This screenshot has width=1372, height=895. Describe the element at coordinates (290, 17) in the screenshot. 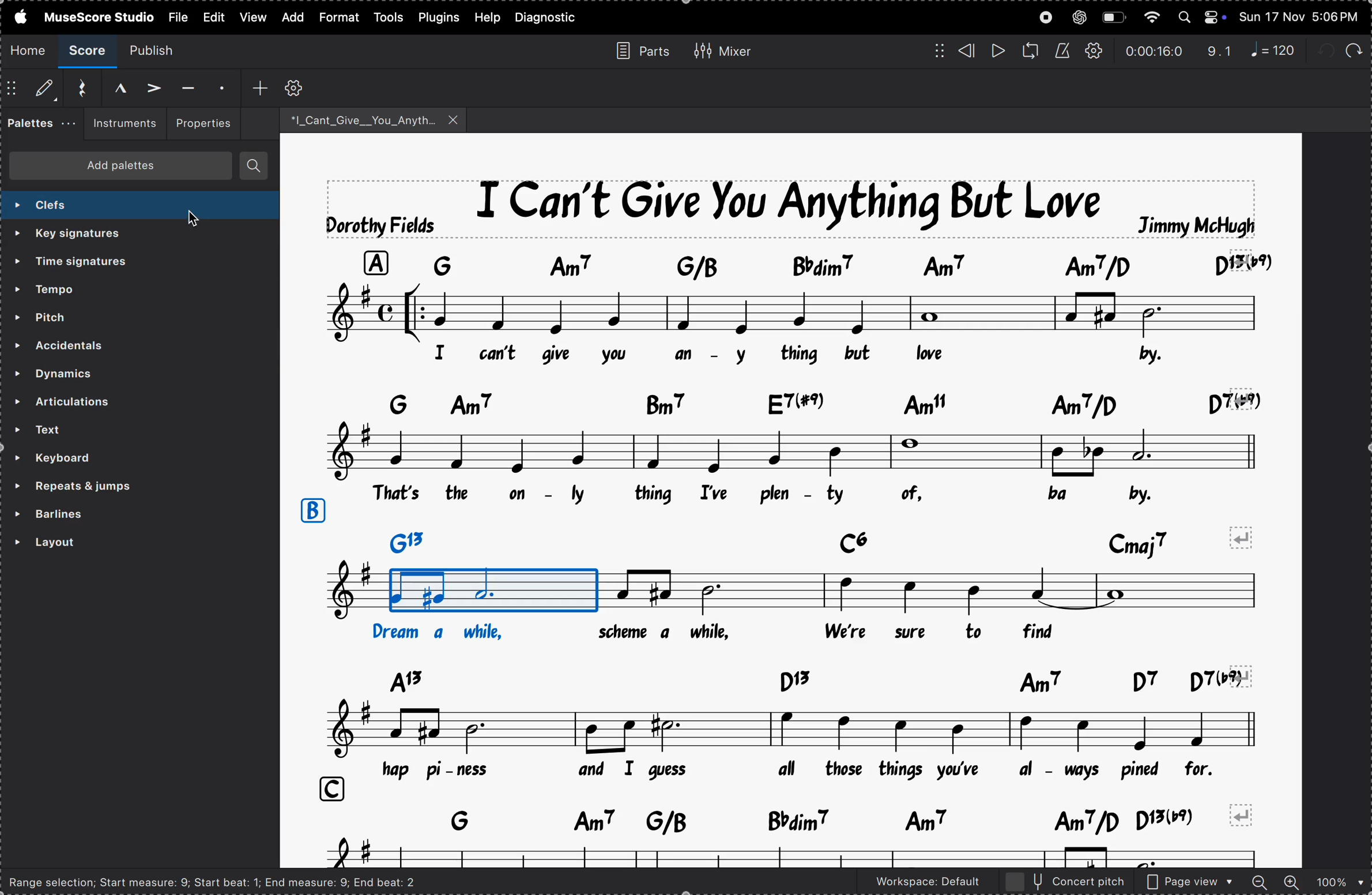

I see `add` at that location.